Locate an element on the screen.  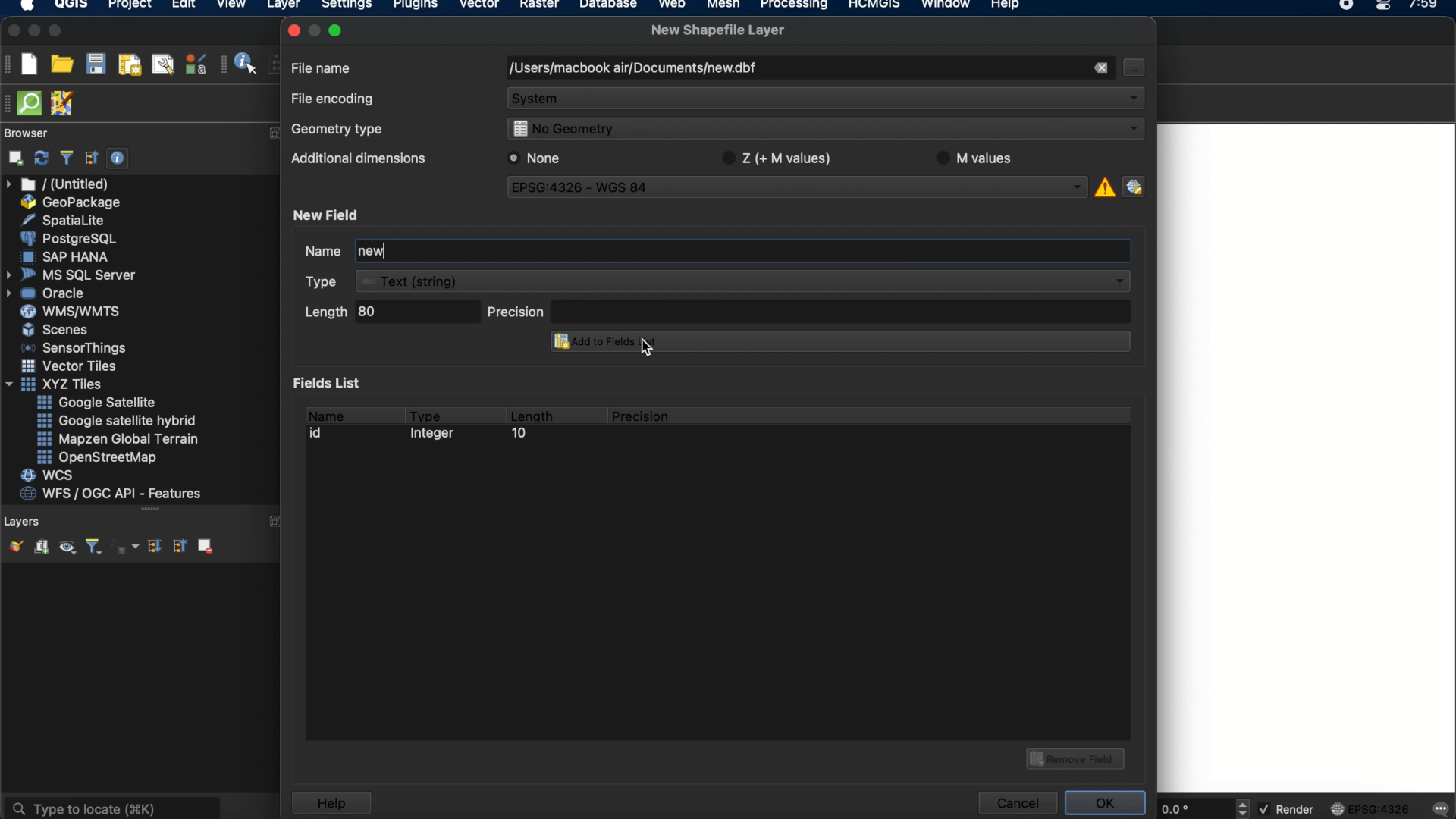
sap hana is located at coordinates (67, 256).